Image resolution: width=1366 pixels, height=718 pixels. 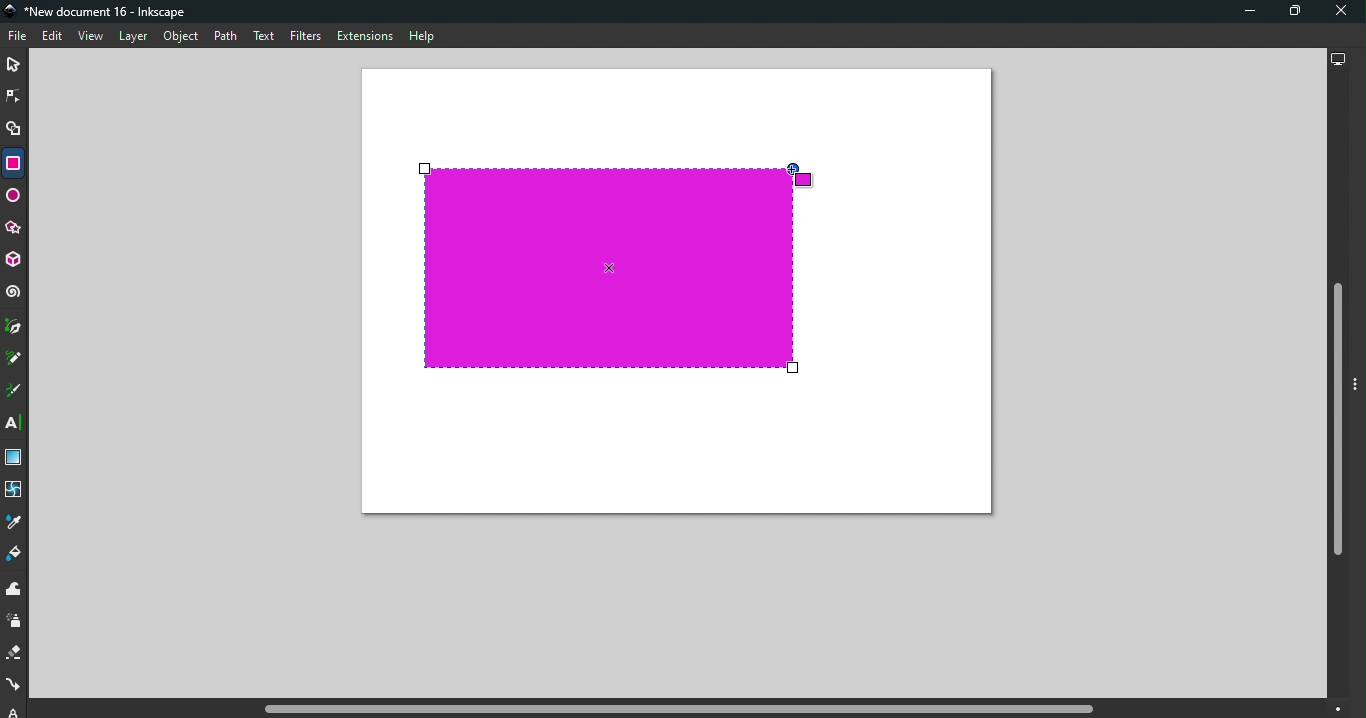 I want to click on Path, so click(x=225, y=38).